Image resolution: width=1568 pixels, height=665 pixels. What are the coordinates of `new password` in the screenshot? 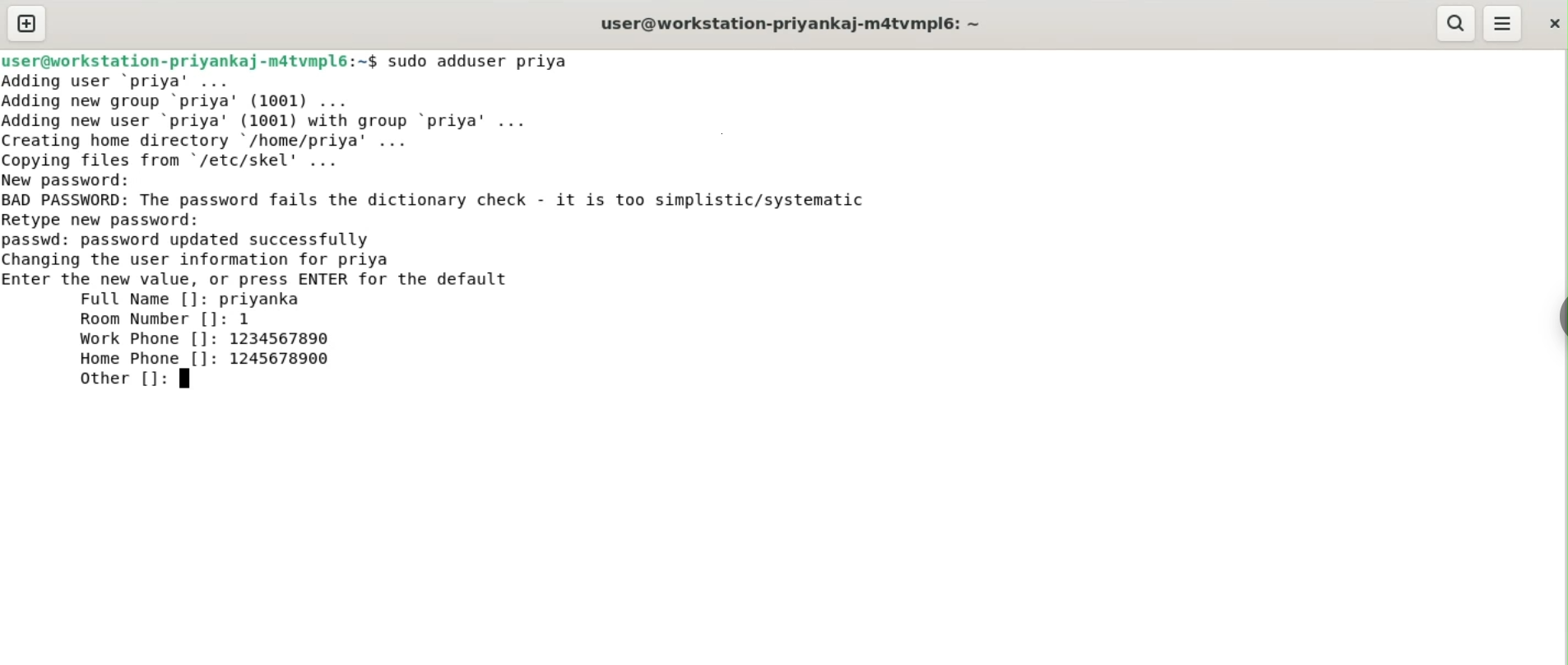 It's located at (79, 179).